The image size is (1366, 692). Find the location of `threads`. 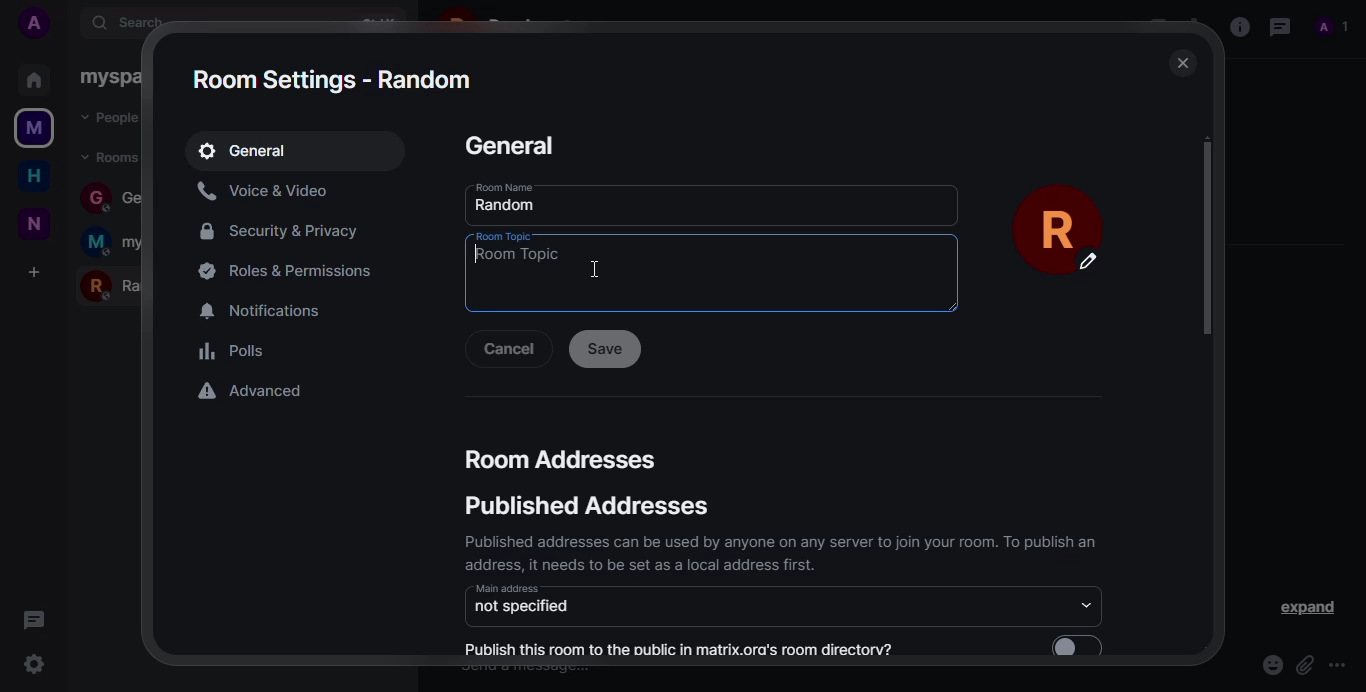

threads is located at coordinates (1279, 28).